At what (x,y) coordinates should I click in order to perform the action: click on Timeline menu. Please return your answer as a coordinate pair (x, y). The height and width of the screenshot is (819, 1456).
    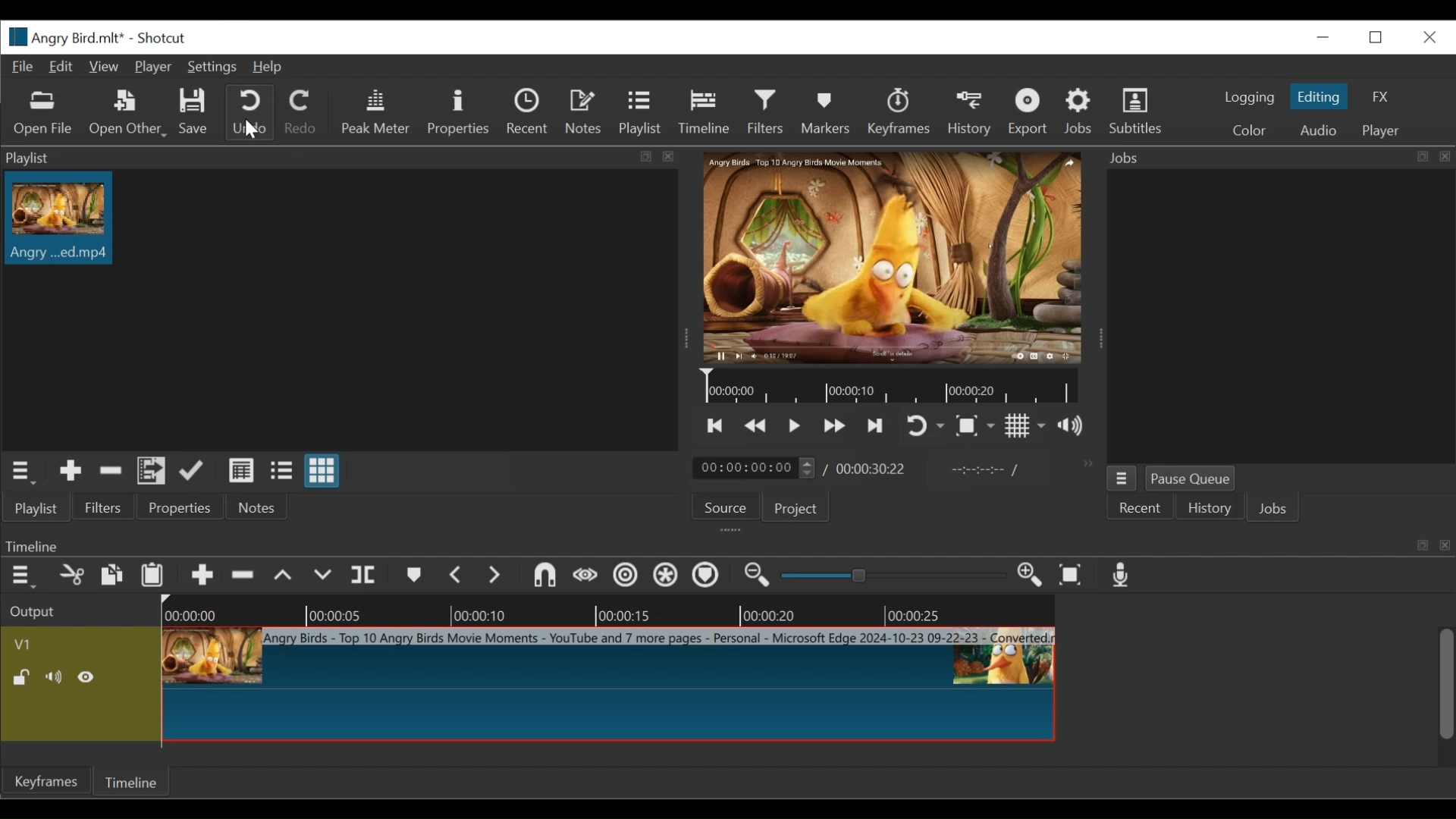
    Looking at the image, I should click on (21, 577).